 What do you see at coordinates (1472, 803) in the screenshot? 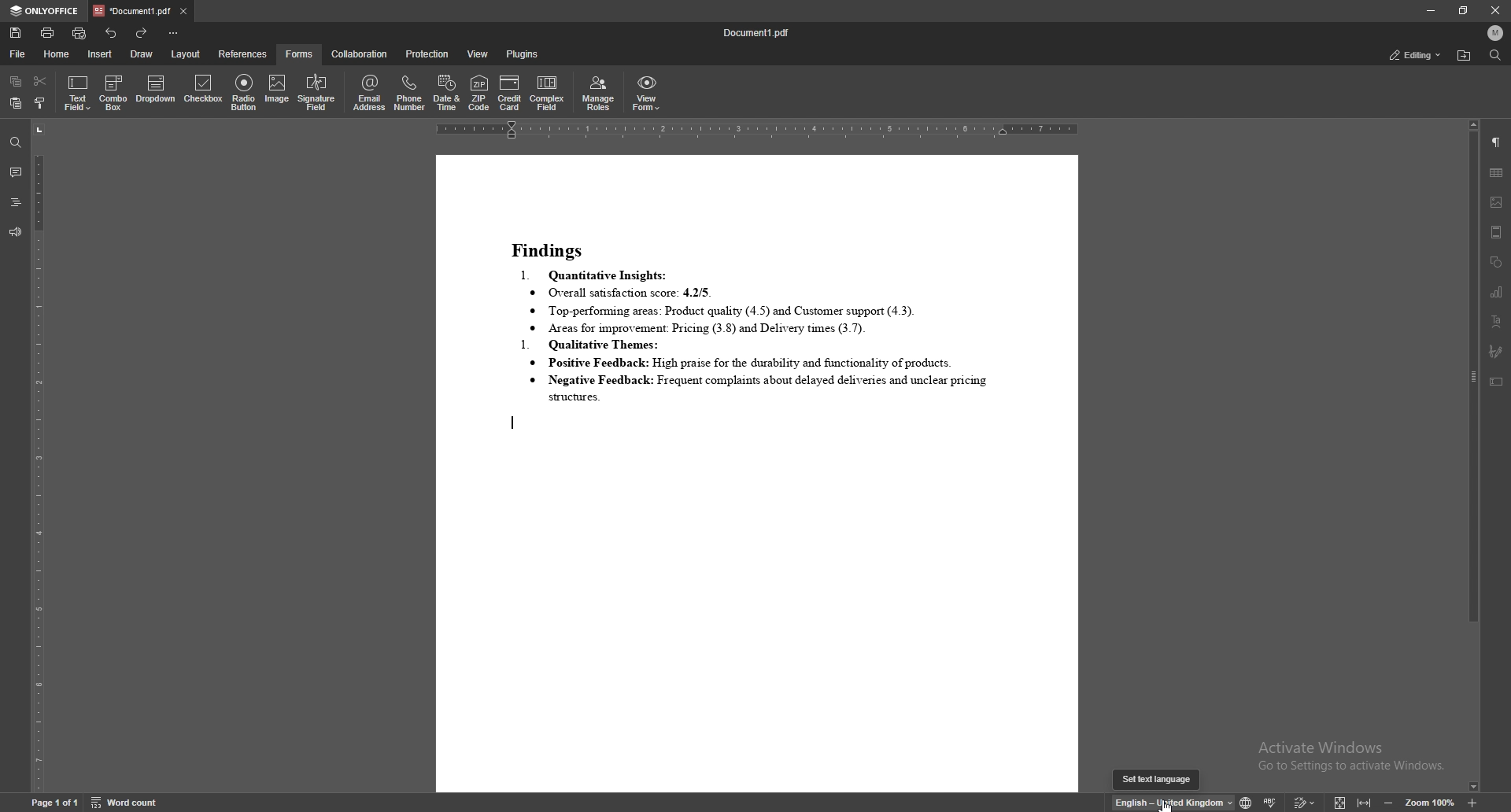
I see `zoom in` at bounding box center [1472, 803].